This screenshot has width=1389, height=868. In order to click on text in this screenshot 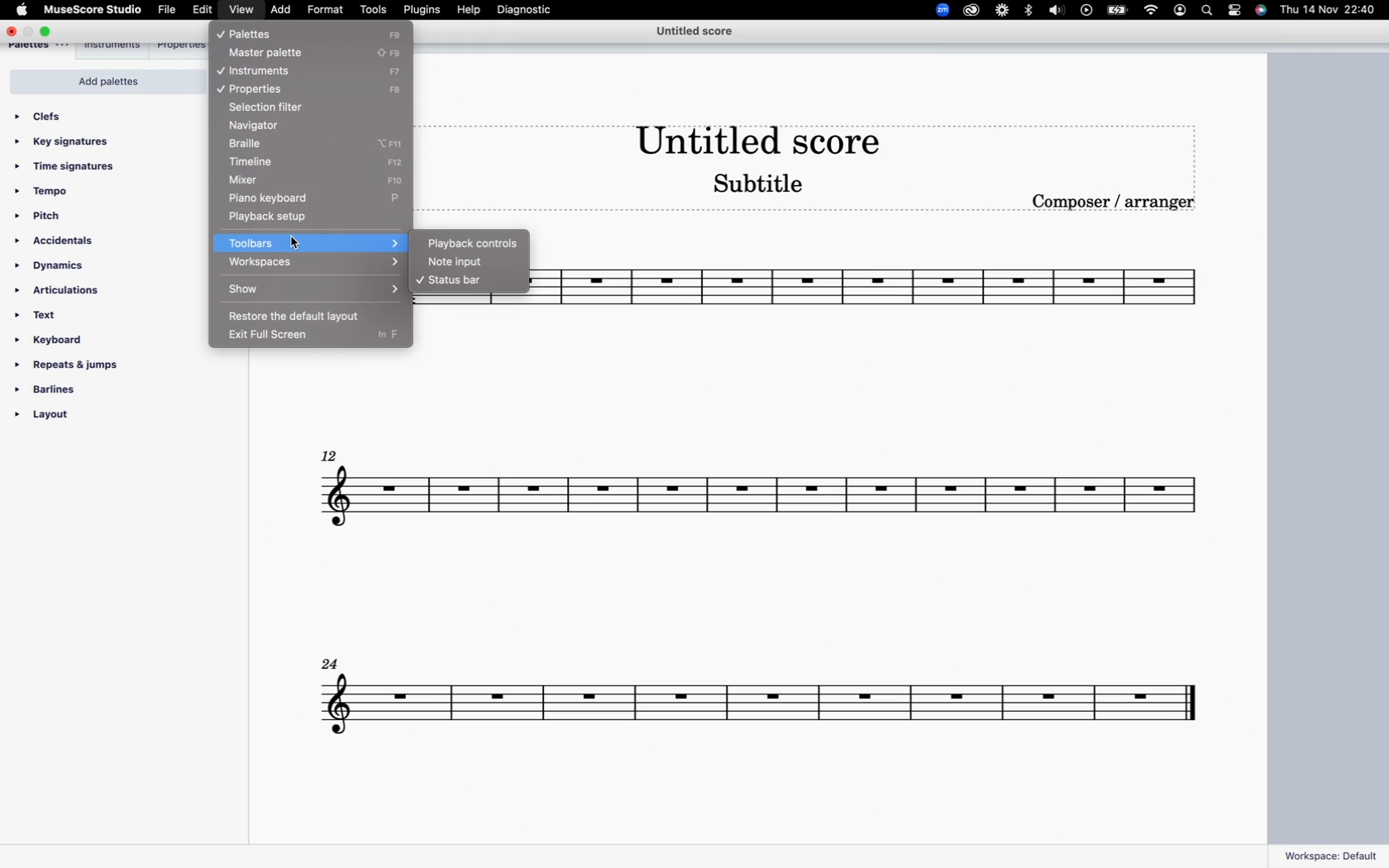, I will do `click(41, 314)`.